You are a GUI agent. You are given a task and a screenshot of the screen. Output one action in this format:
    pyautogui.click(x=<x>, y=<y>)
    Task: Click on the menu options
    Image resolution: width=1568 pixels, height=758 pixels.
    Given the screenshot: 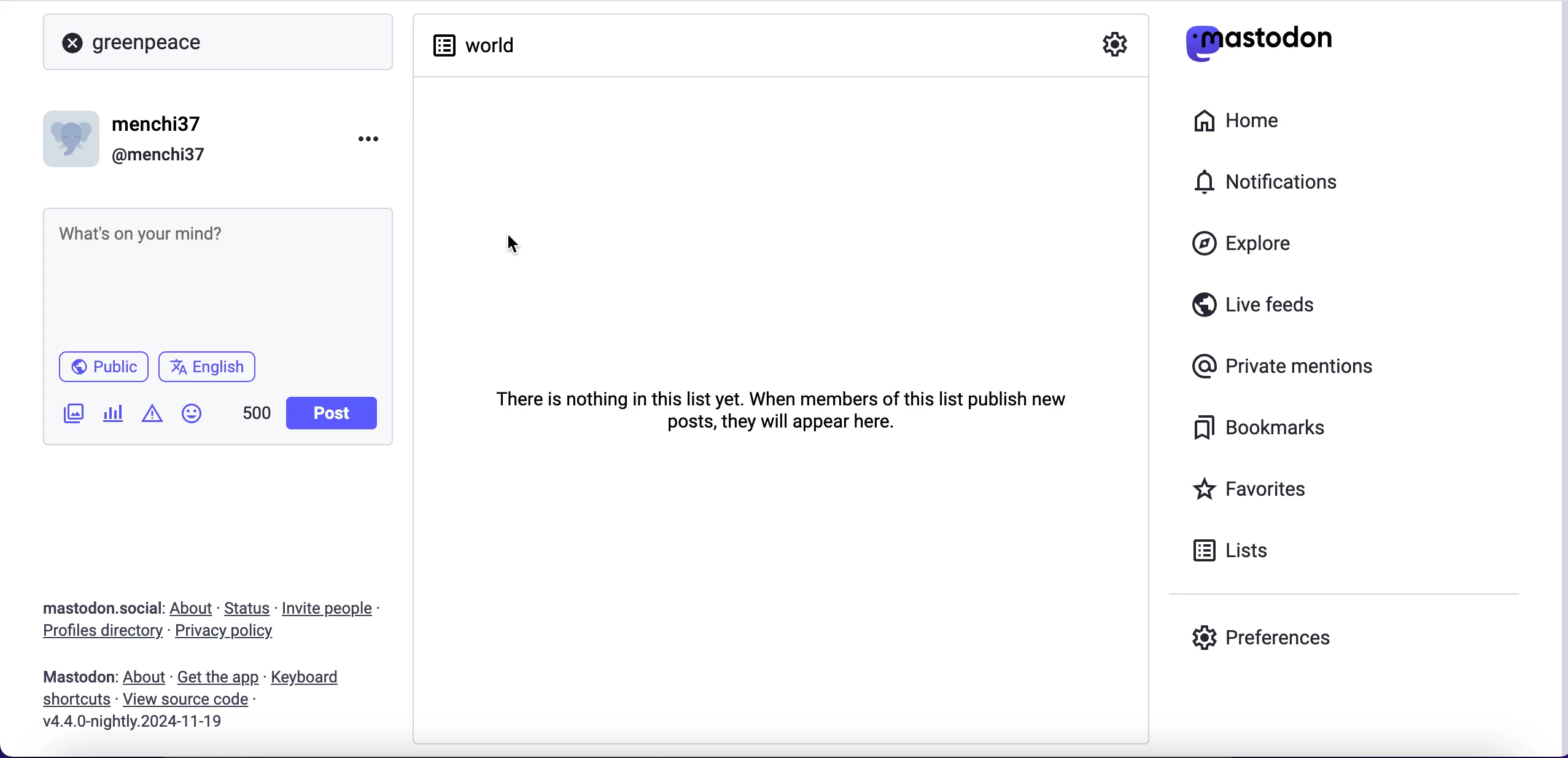 What is the action you would take?
    pyautogui.click(x=373, y=138)
    